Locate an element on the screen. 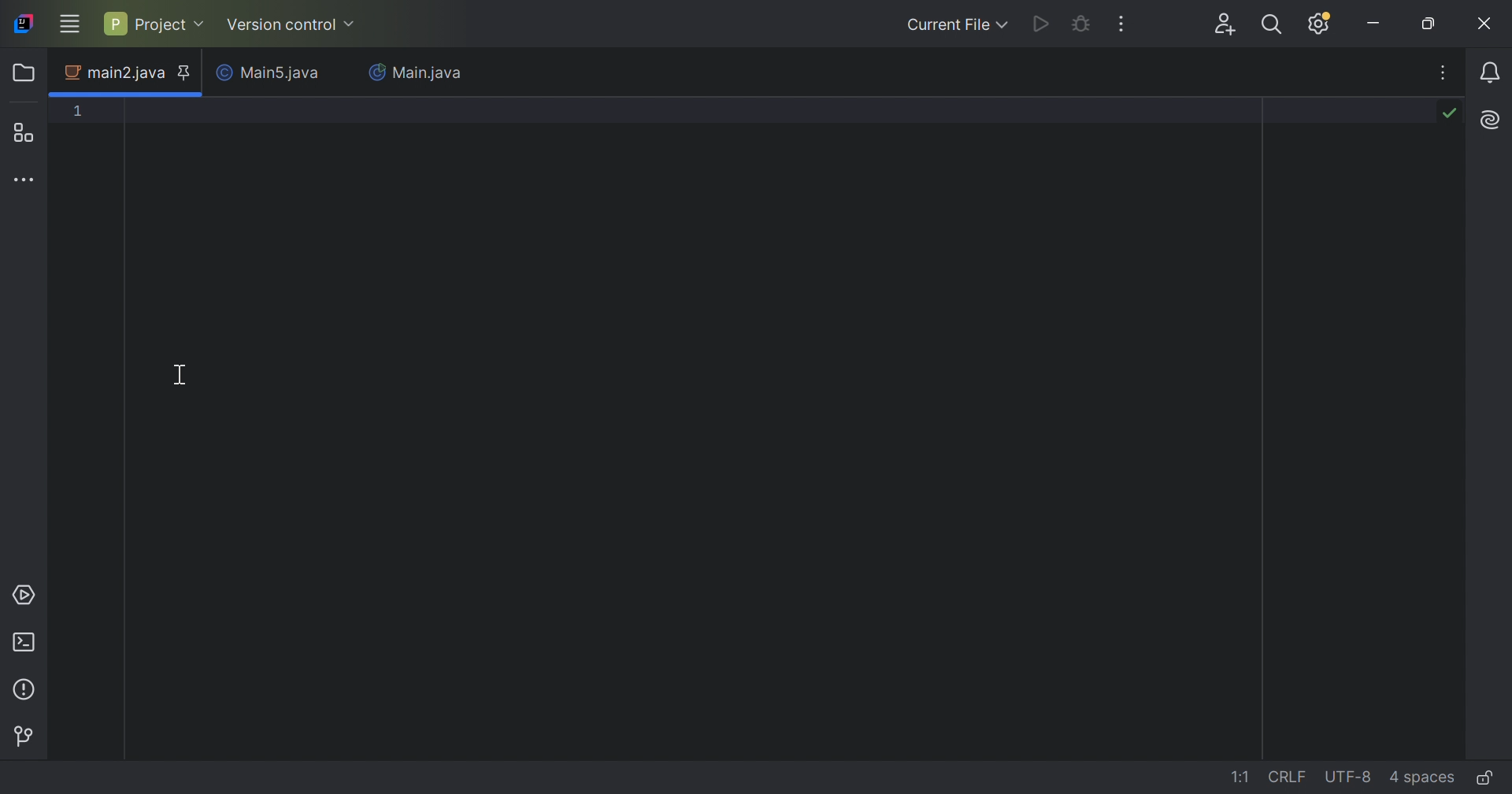 The height and width of the screenshot is (794, 1512). go to line is located at coordinates (1242, 777).